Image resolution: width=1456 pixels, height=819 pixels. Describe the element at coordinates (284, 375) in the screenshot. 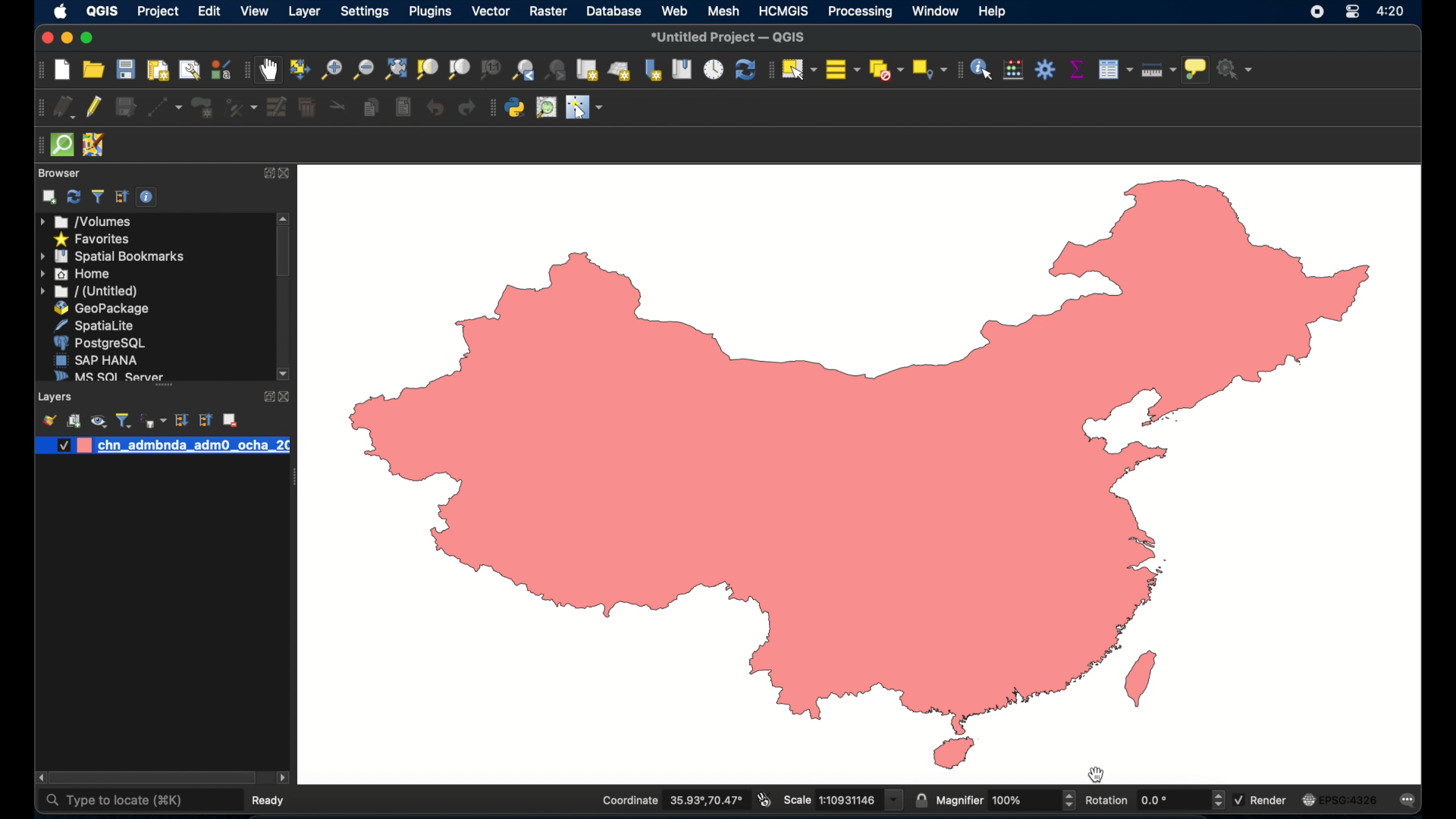

I see `scroll down arrow` at that location.